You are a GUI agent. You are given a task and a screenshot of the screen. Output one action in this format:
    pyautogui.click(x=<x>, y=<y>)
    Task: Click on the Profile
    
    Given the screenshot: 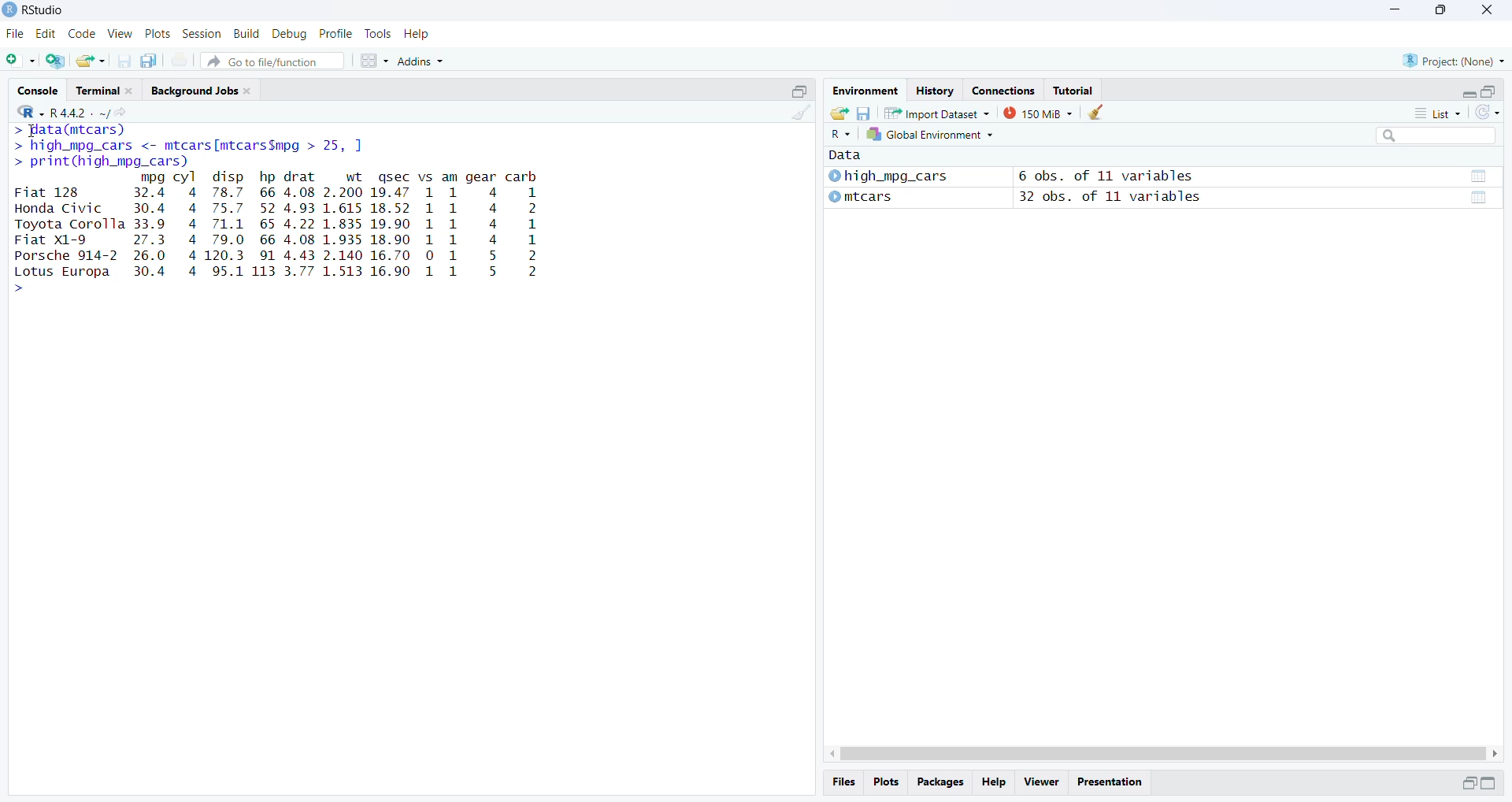 What is the action you would take?
    pyautogui.click(x=335, y=34)
    